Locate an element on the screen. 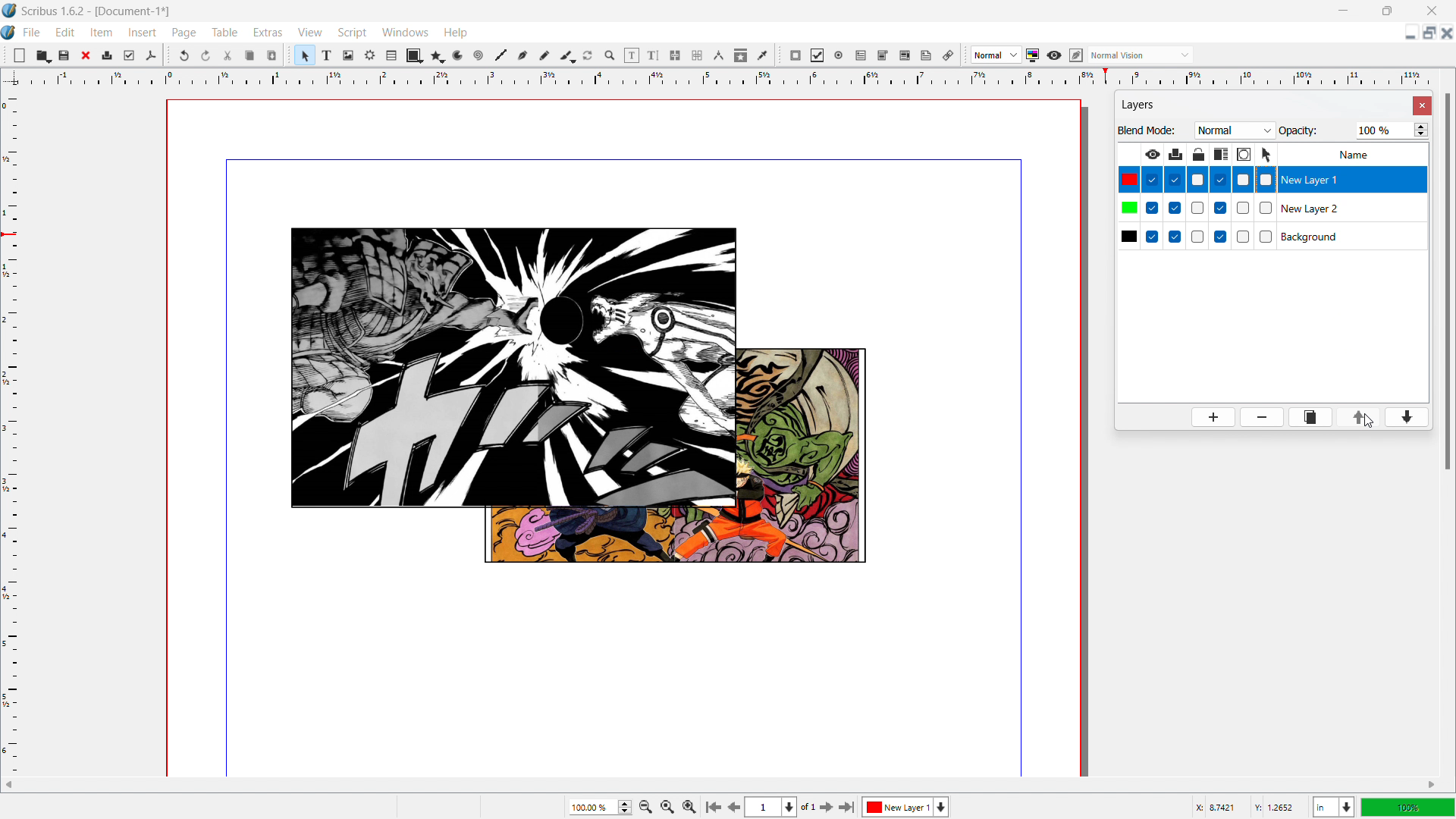 This screenshot has width=1456, height=819. pdf push button is located at coordinates (795, 55).